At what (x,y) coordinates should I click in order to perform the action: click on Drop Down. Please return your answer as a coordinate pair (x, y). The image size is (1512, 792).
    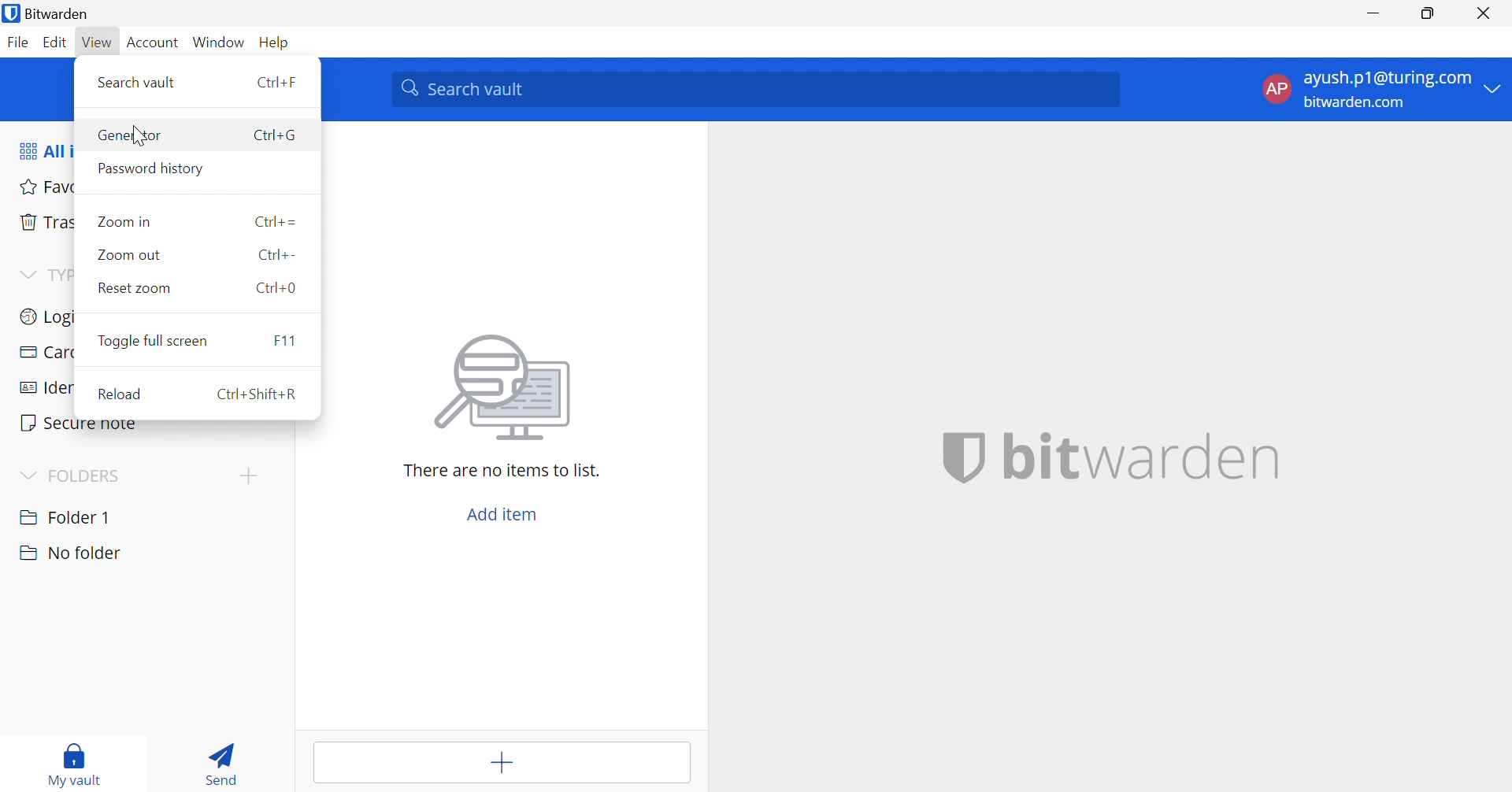
    Looking at the image, I should click on (27, 475).